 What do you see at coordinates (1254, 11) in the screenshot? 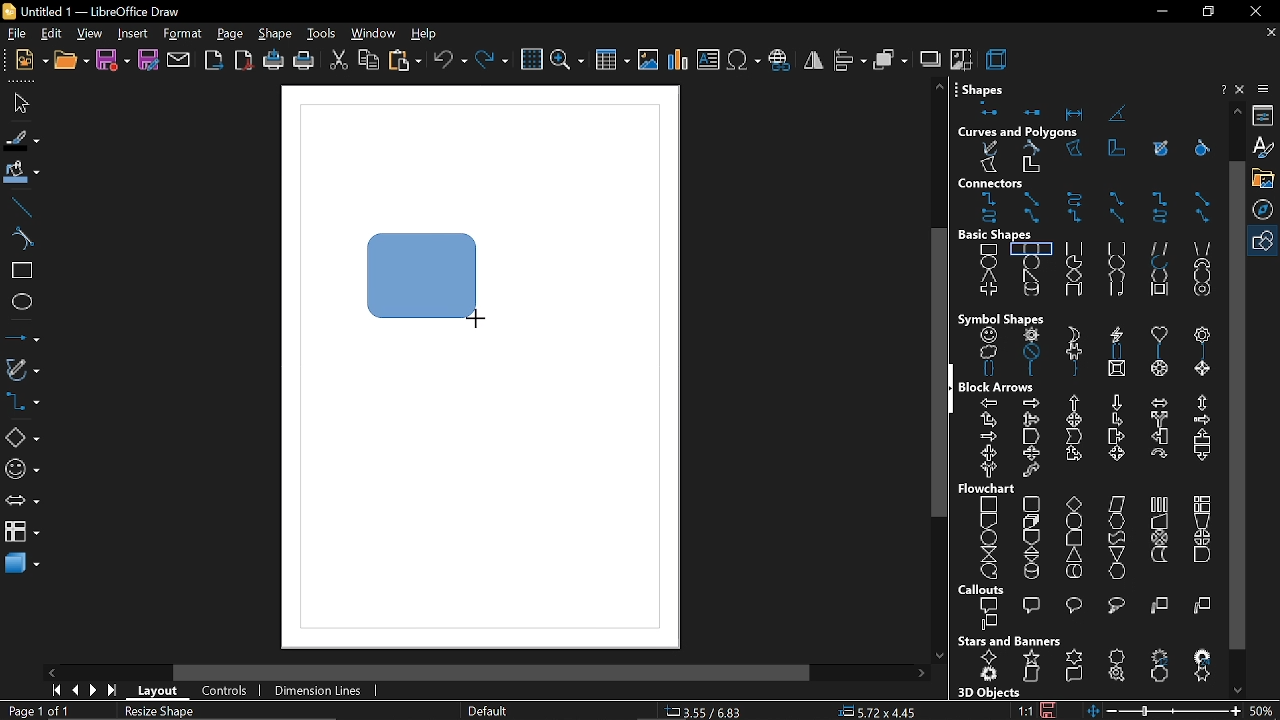
I see `close` at bounding box center [1254, 11].